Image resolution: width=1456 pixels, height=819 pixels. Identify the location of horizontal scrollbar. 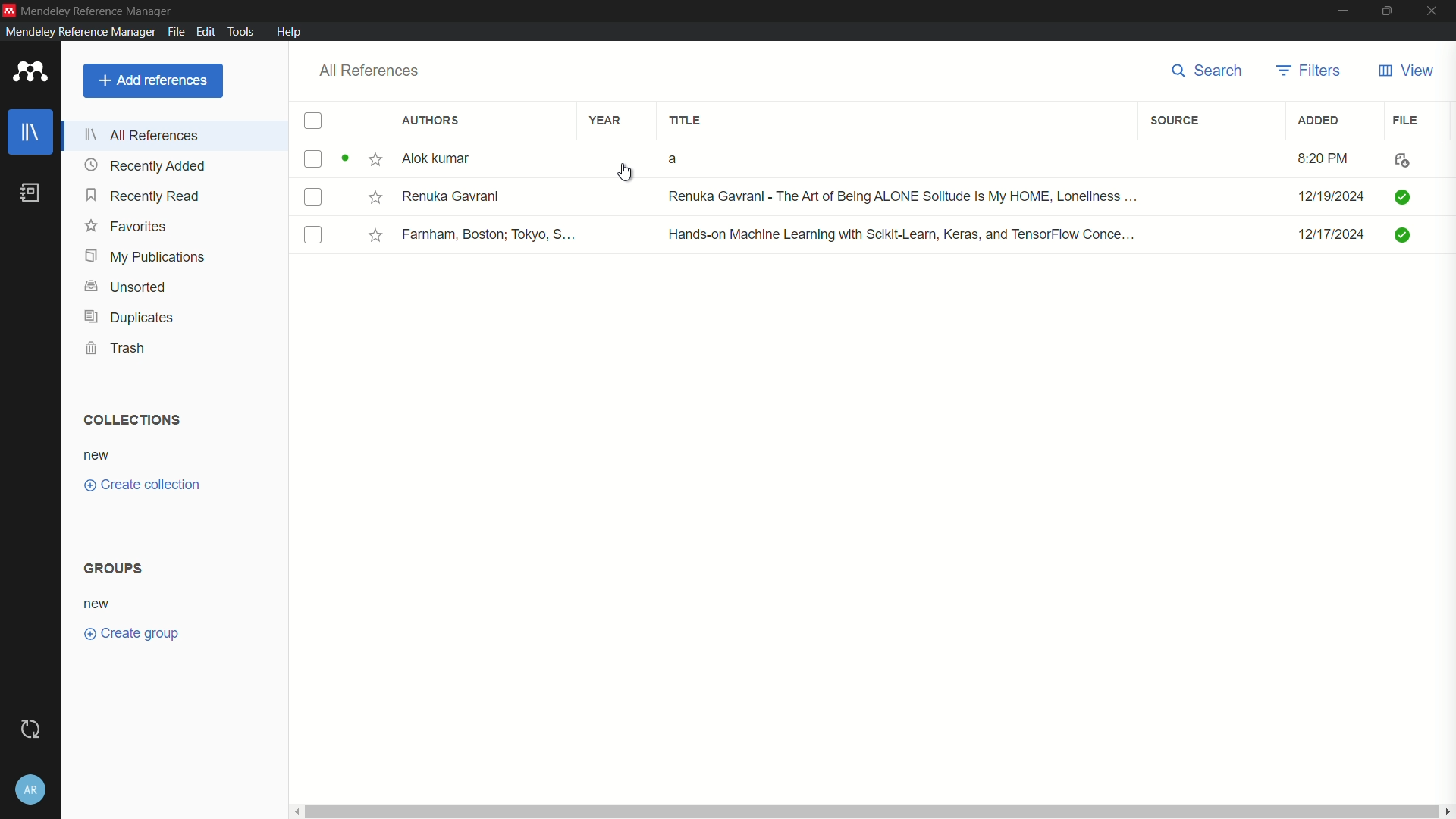
(874, 811).